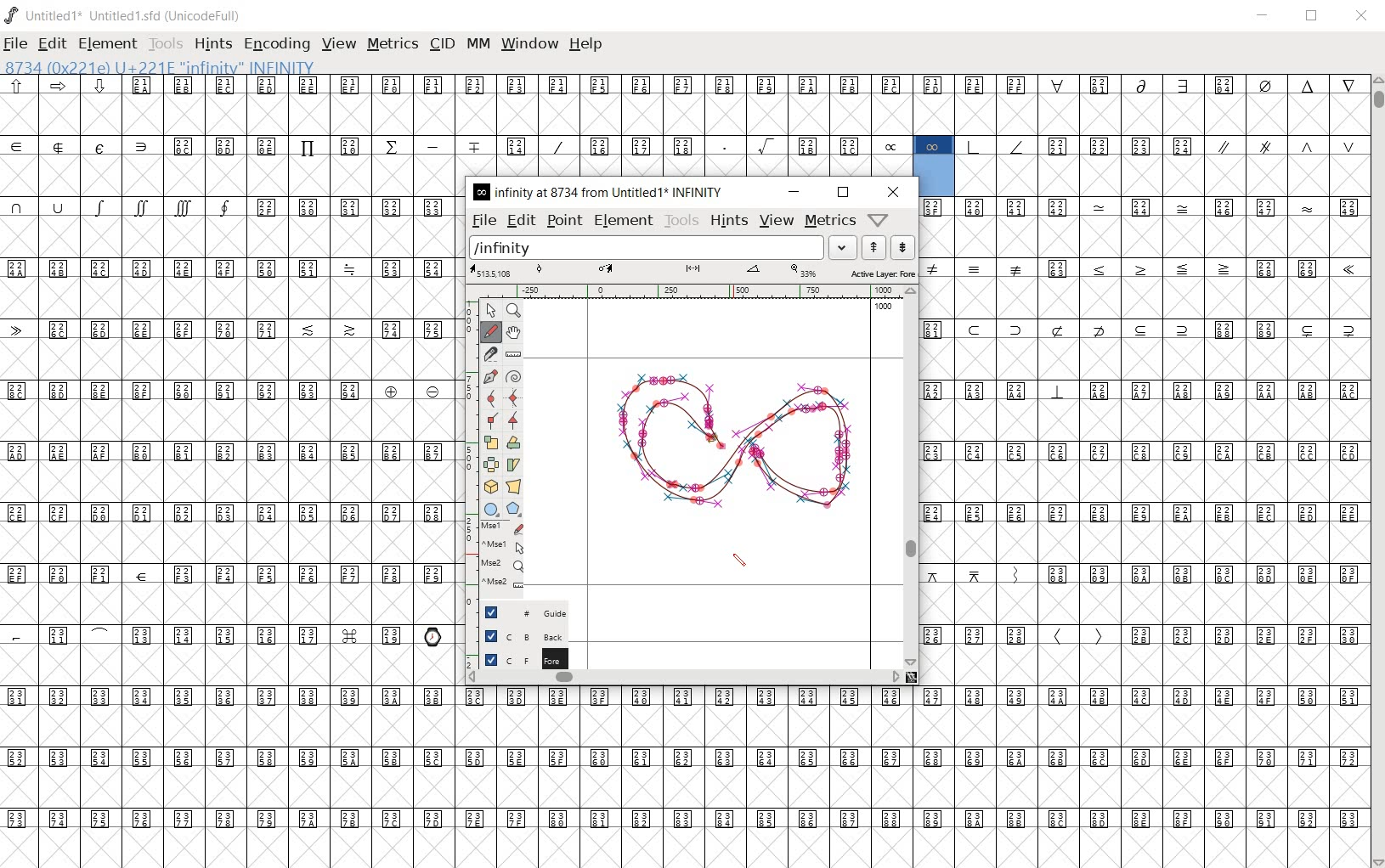  I want to click on foreground, so click(516, 660).